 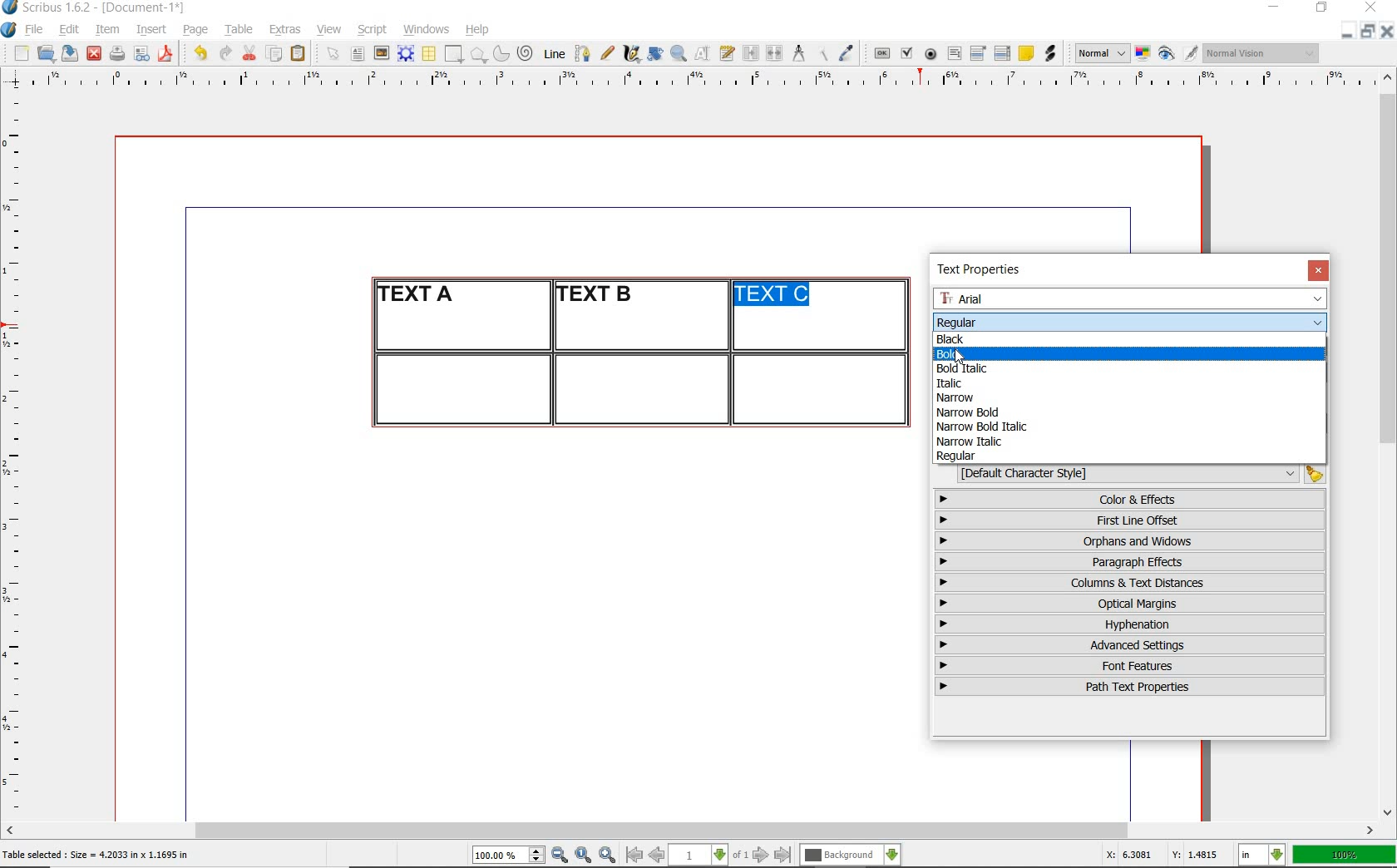 What do you see at coordinates (1345, 855) in the screenshot?
I see `100%` at bounding box center [1345, 855].